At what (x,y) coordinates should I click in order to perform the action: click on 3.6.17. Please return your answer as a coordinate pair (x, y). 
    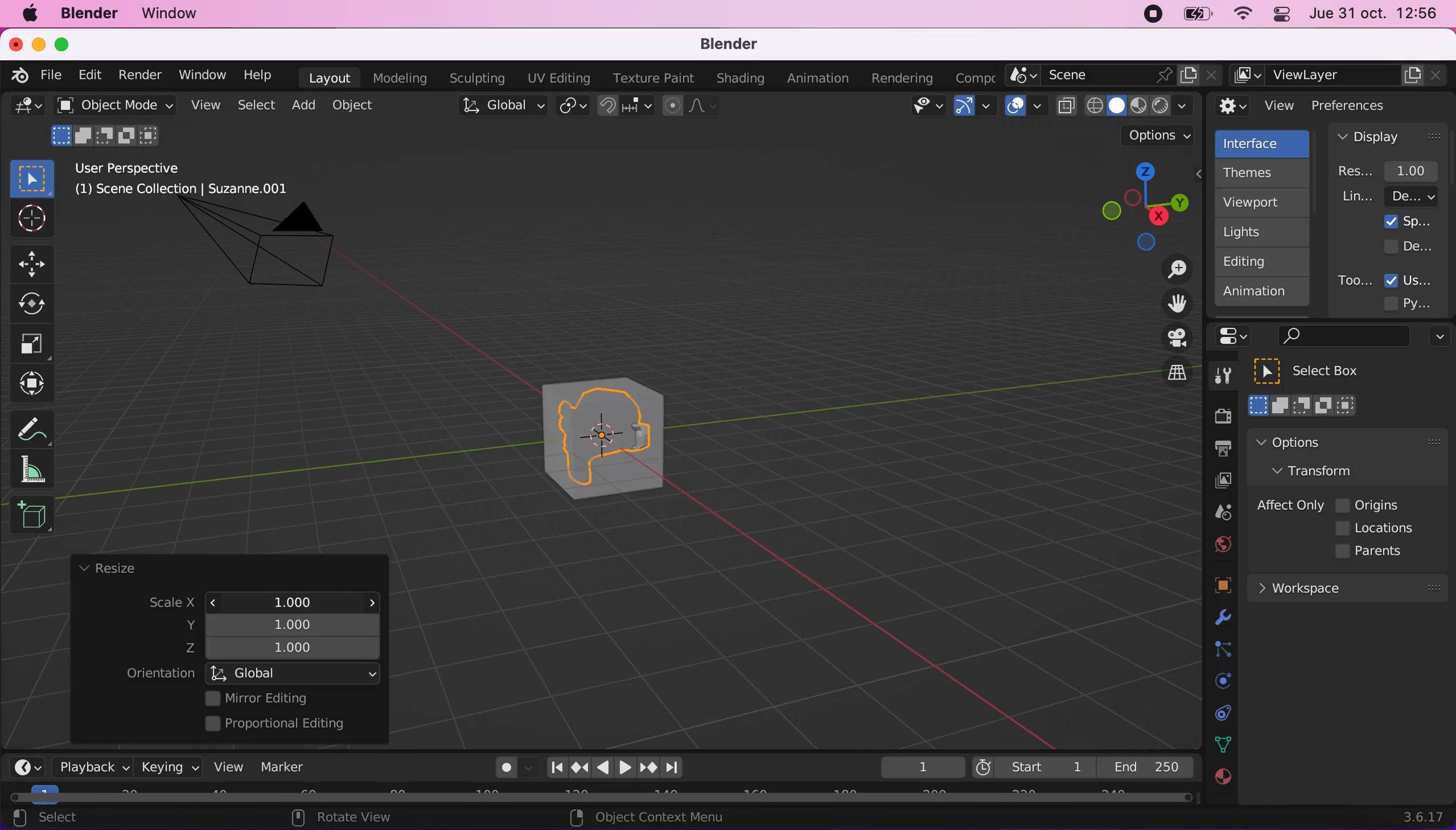
    Looking at the image, I should click on (1426, 817).